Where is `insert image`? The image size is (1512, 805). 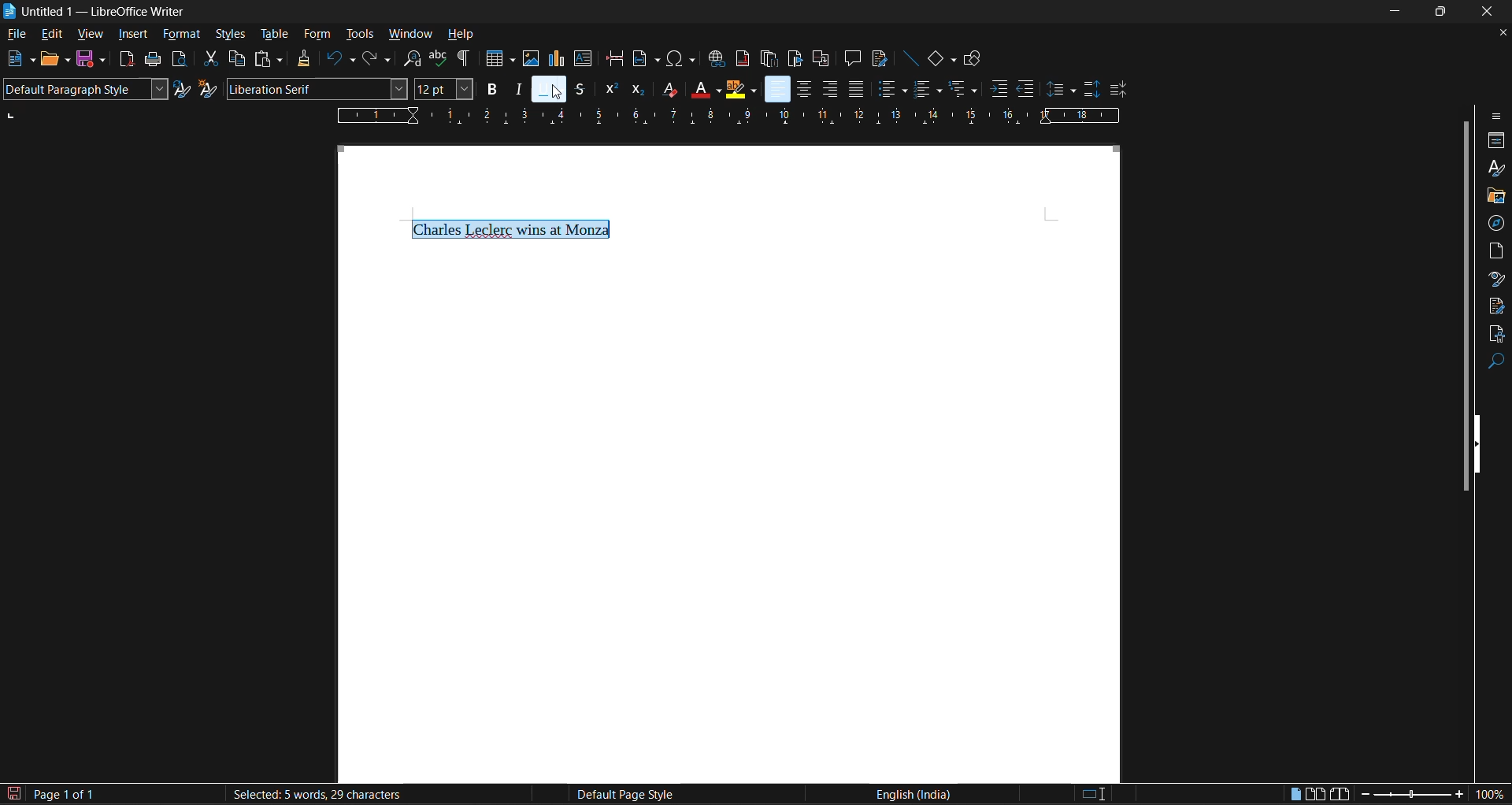
insert image is located at coordinates (529, 59).